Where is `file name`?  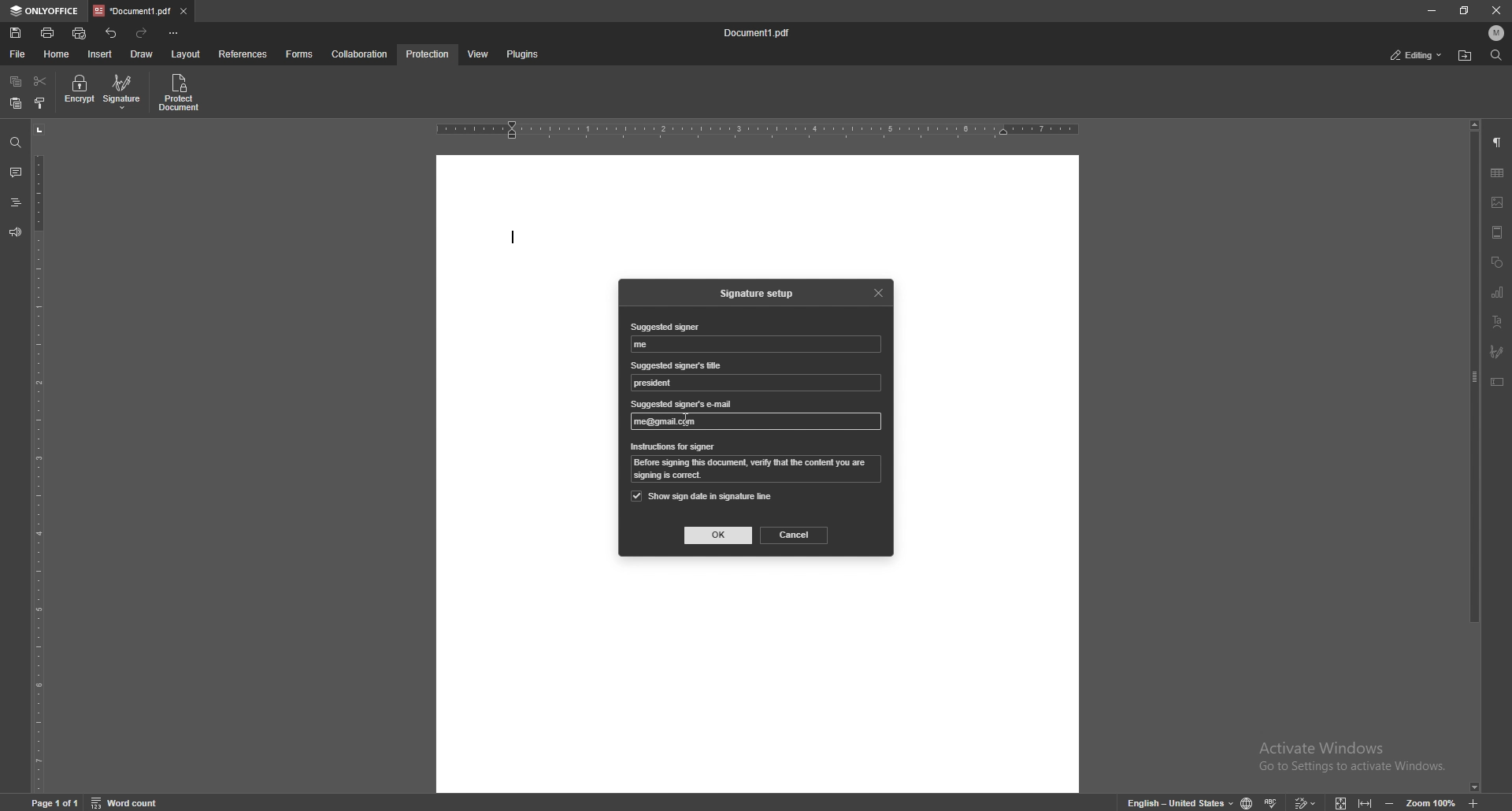 file name is located at coordinates (758, 33).